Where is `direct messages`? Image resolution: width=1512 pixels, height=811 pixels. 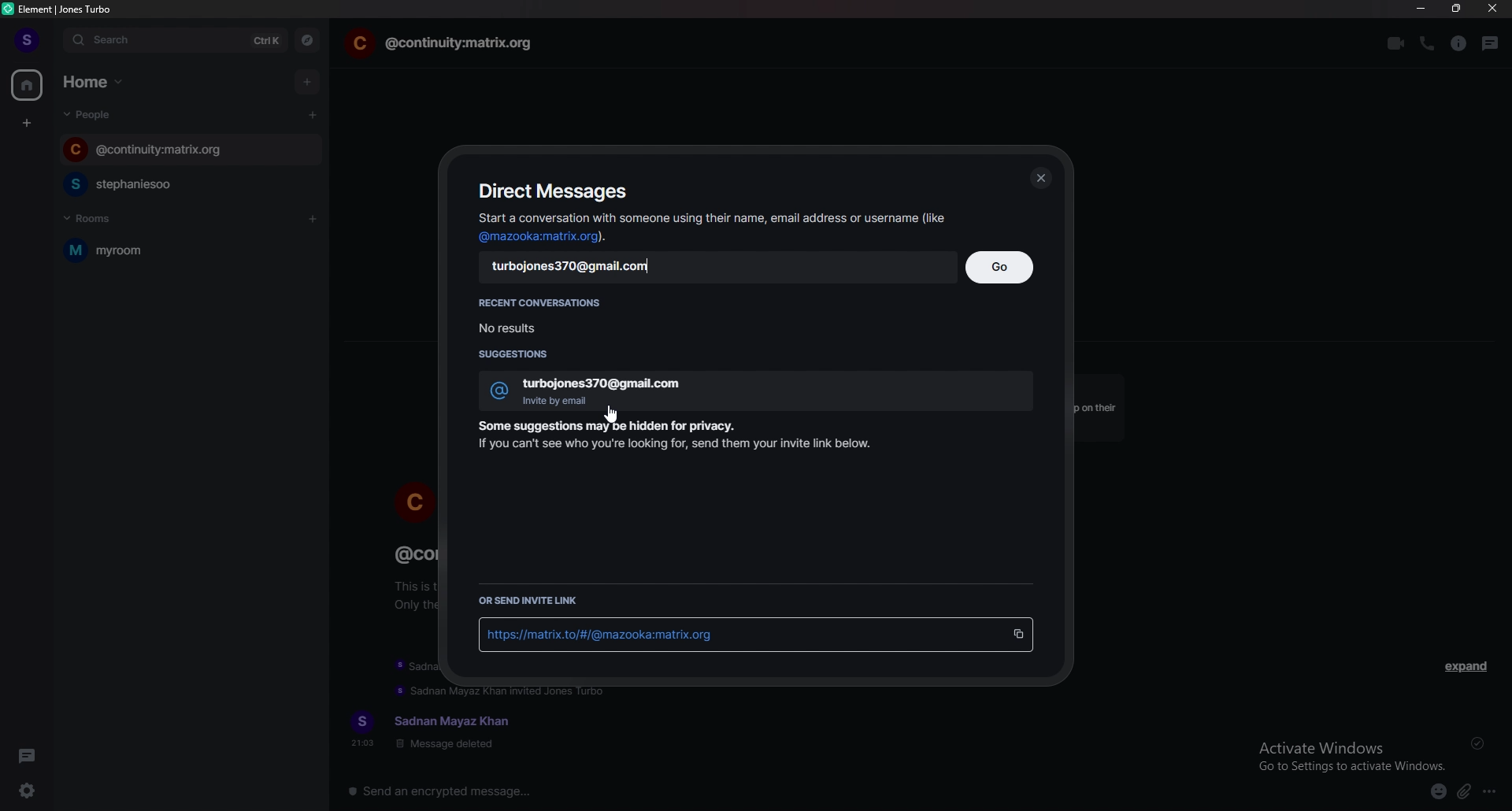 direct messages is located at coordinates (553, 190).